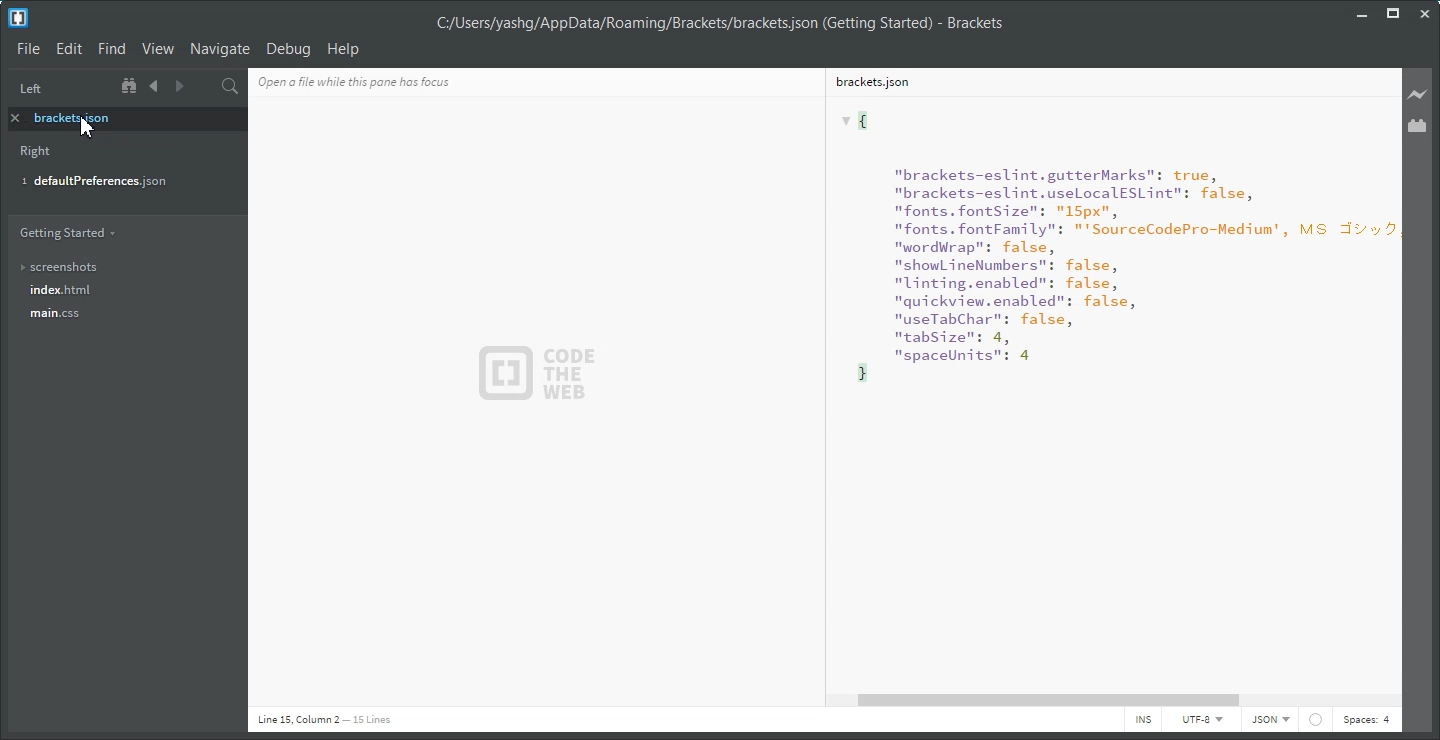  I want to click on Show in file tree, so click(131, 86).